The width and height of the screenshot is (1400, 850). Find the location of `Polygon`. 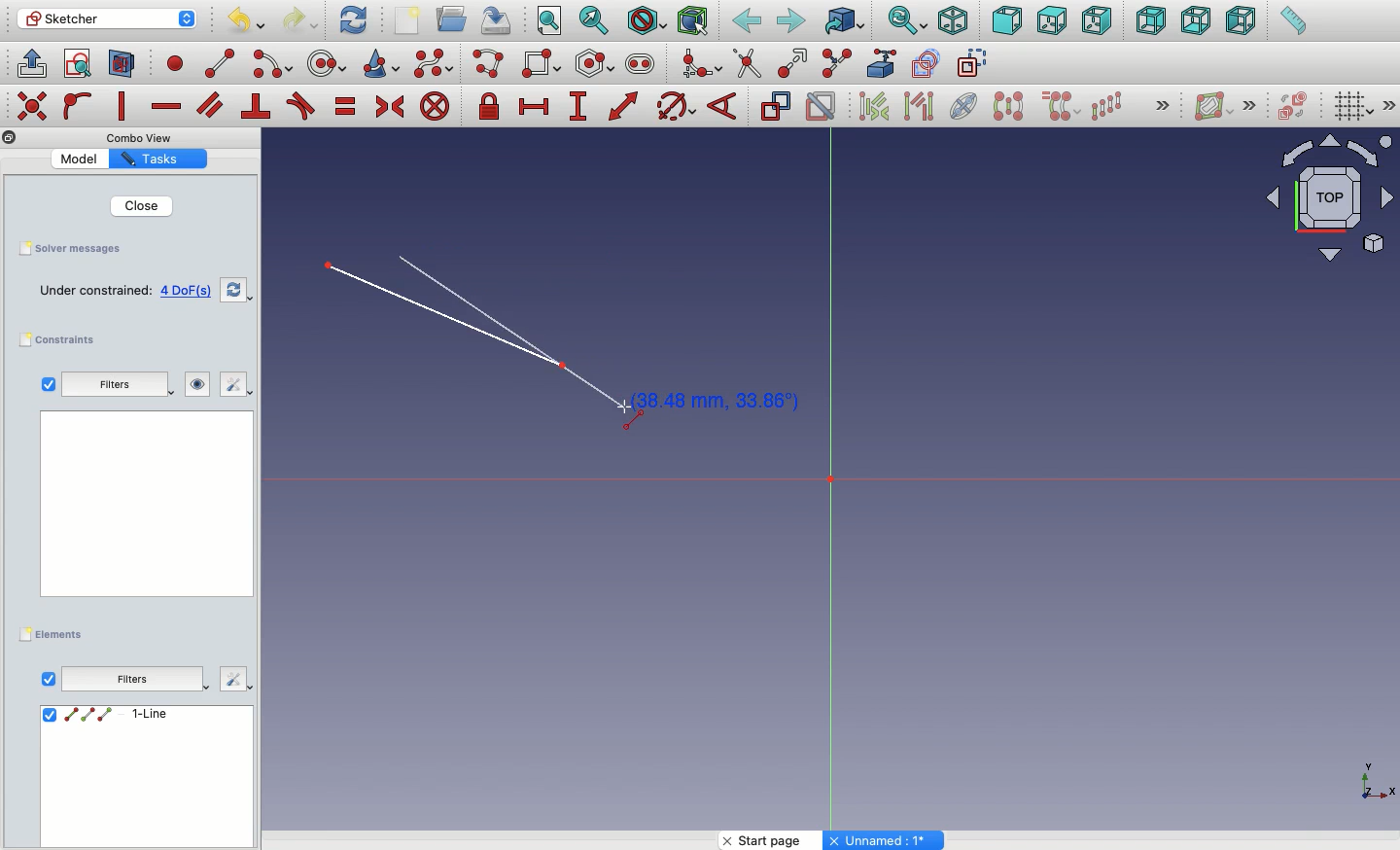

Polygon is located at coordinates (596, 64).